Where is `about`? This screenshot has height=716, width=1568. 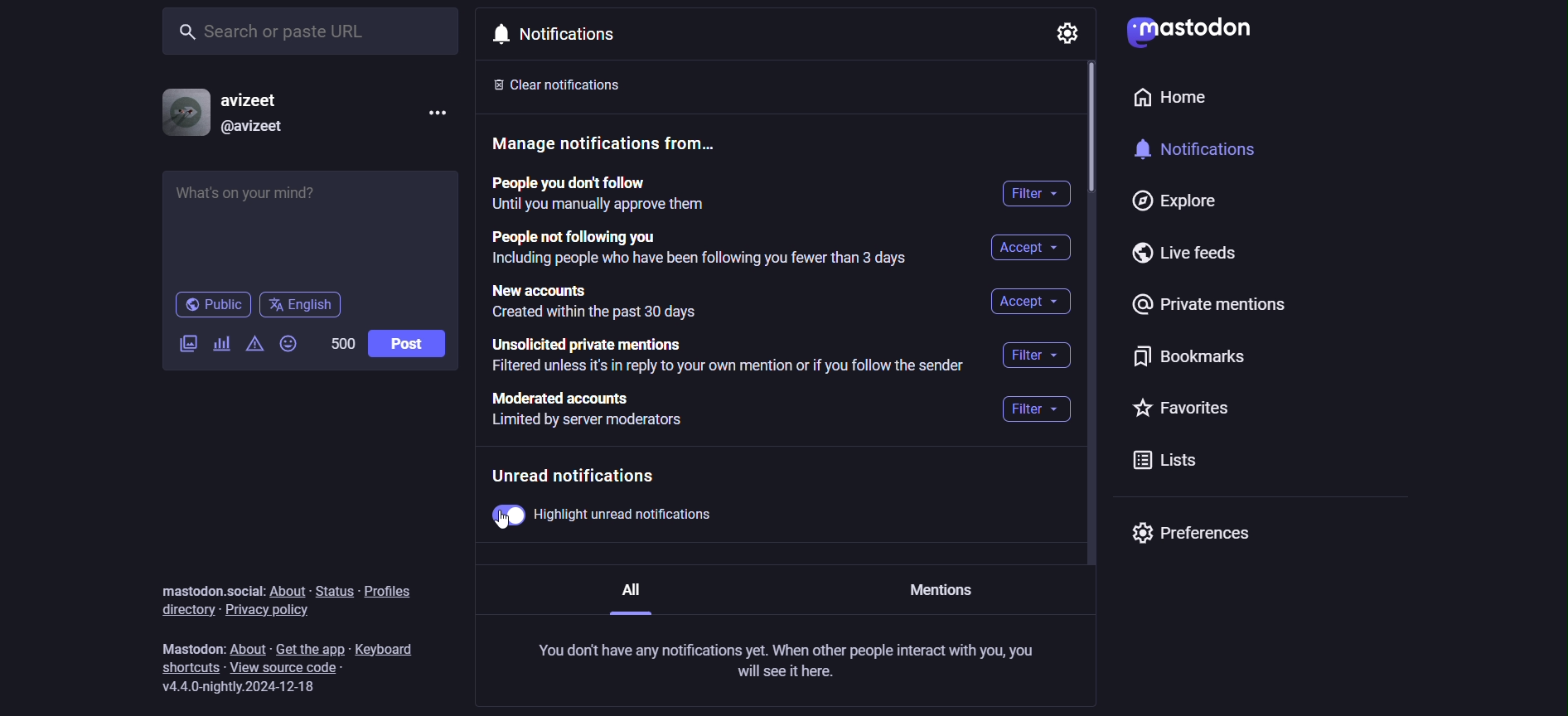
about is located at coordinates (292, 591).